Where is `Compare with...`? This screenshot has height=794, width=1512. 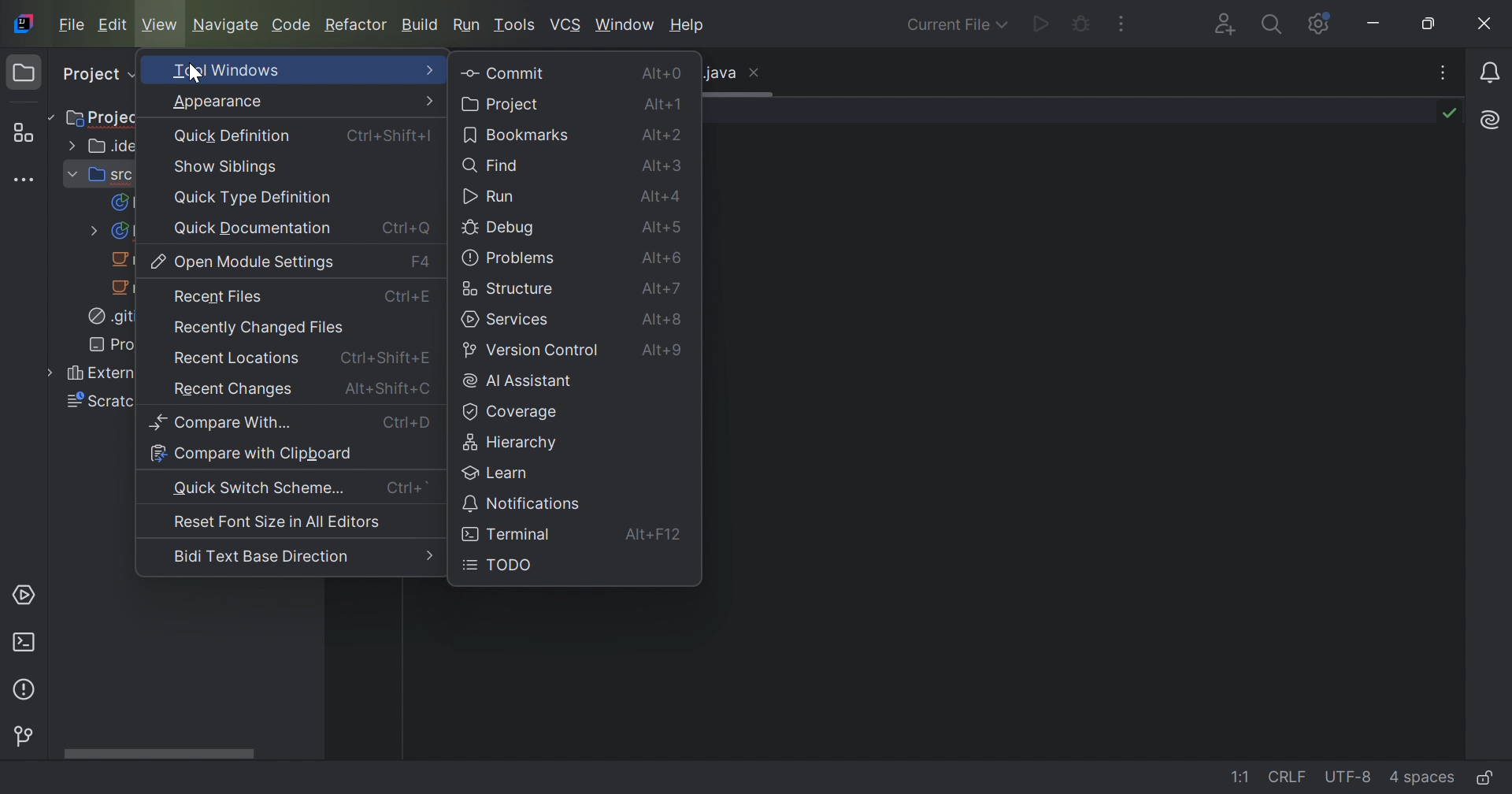
Compare with... is located at coordinates (223, 421).